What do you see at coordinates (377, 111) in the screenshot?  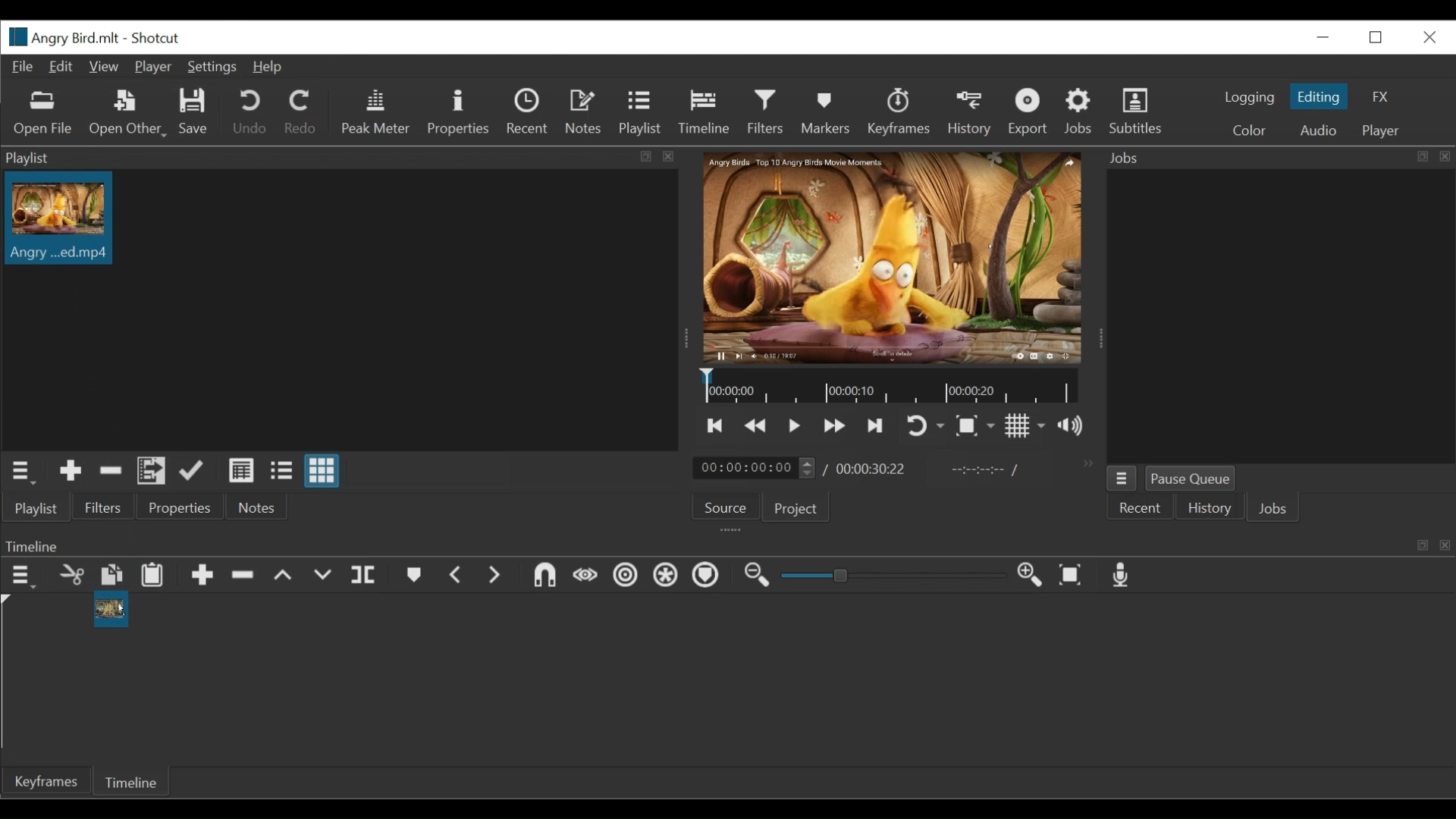 I see `Peak Meter` at bounding box center [377, 111].